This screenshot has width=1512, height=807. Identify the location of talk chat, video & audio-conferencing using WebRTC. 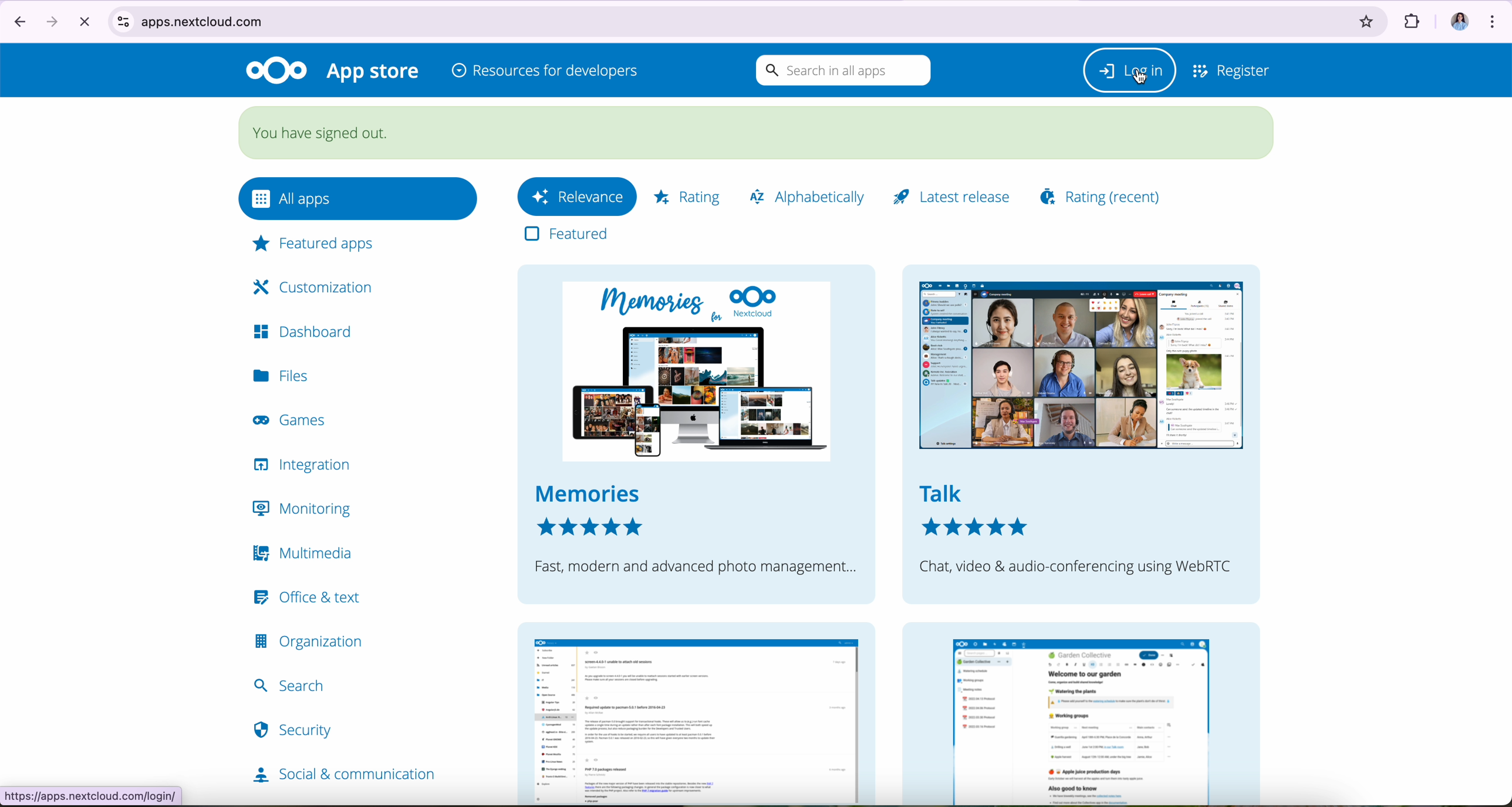
(1082, 432).